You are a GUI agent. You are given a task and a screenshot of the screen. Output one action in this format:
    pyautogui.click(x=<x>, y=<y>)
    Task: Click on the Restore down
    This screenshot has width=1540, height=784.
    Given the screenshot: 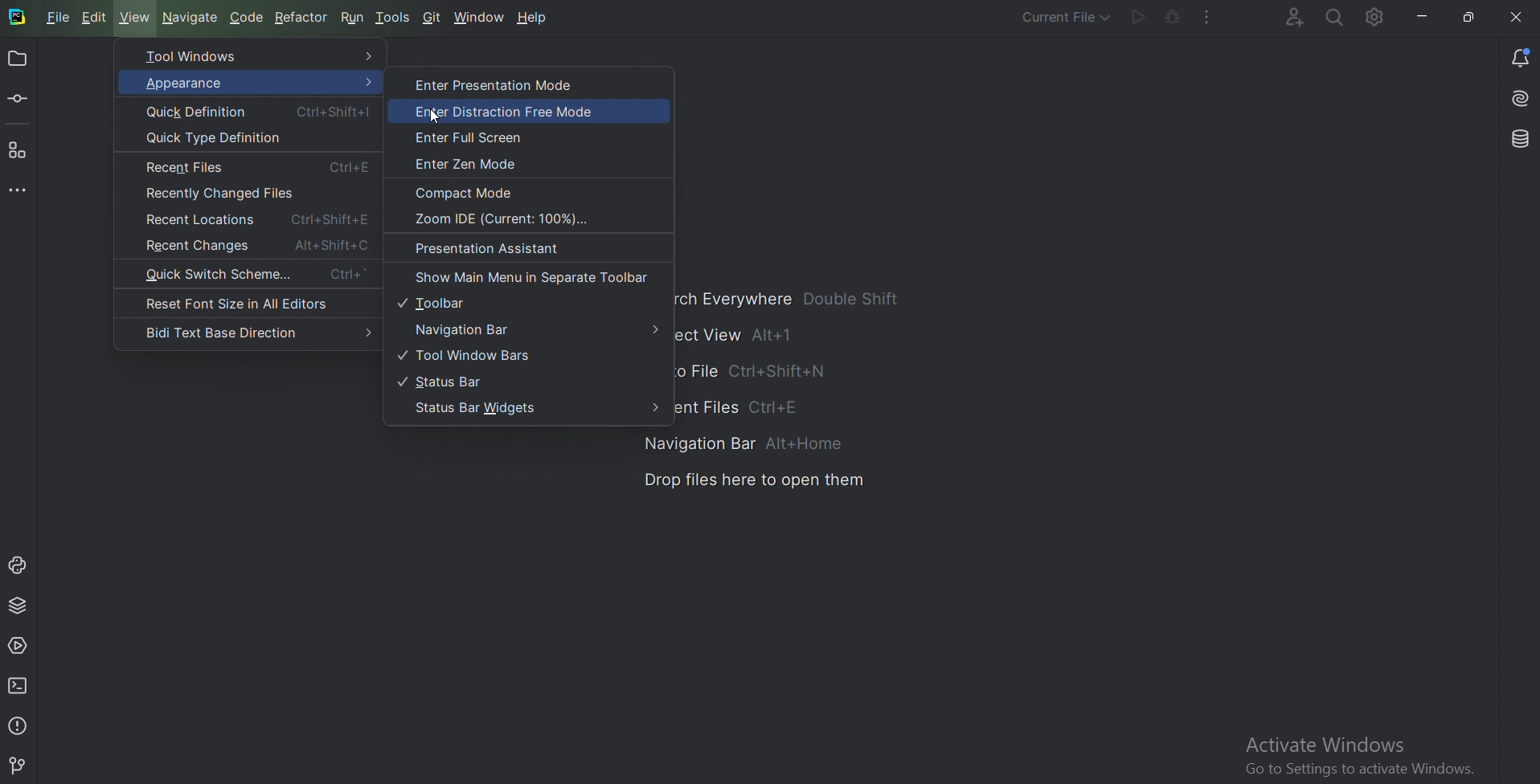 What is the action you would take?
    pyautogui.click(x=1468, y=18)
    